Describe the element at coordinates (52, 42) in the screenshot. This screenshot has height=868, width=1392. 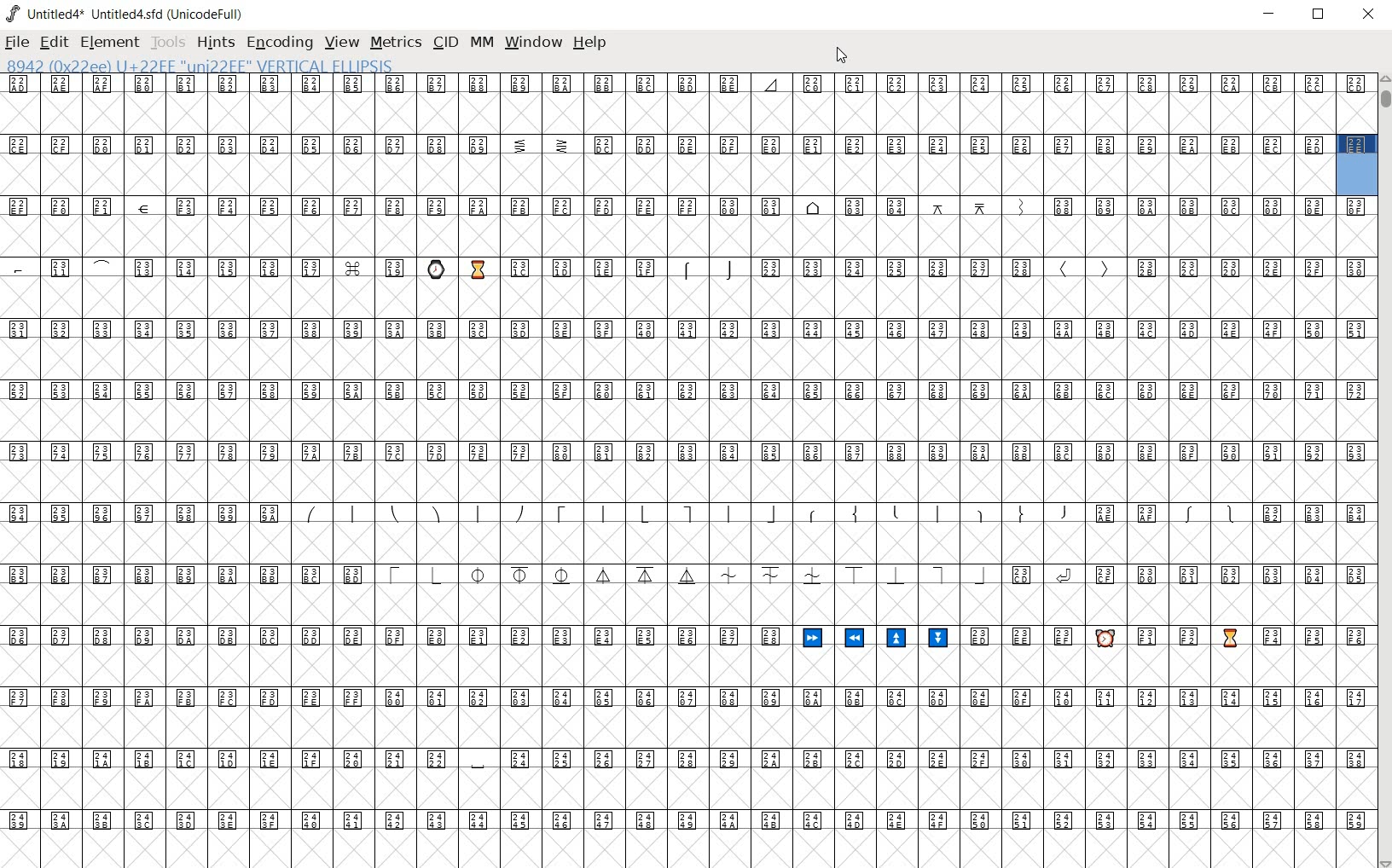
I see `EDIT` at that location.